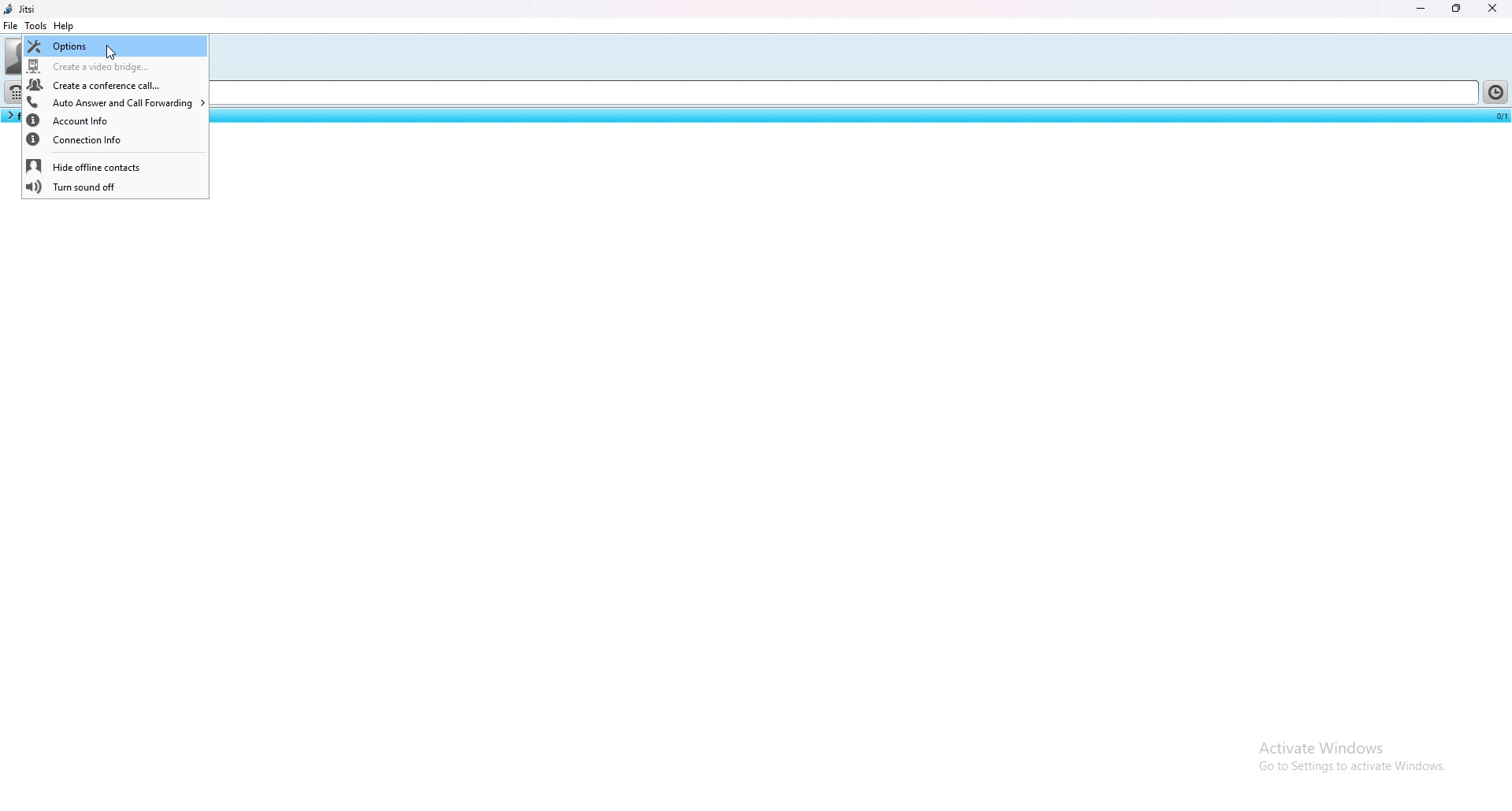  What do you see at coordinates (1351, 745) in the screenshot?
I see `Activate windows` at bounding box center [1351, 745].